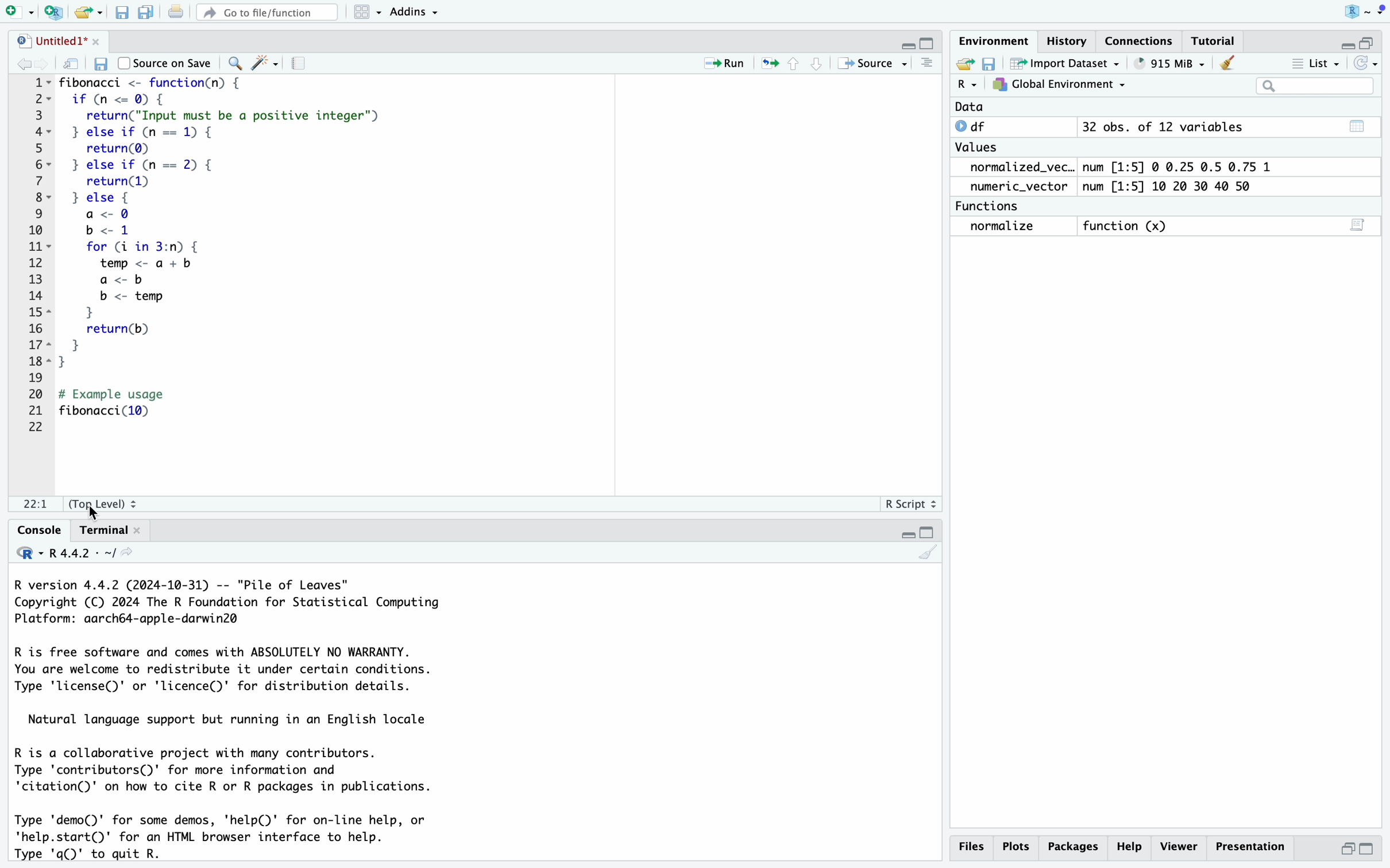  I want to click on workspace panes, so click(364, 11).